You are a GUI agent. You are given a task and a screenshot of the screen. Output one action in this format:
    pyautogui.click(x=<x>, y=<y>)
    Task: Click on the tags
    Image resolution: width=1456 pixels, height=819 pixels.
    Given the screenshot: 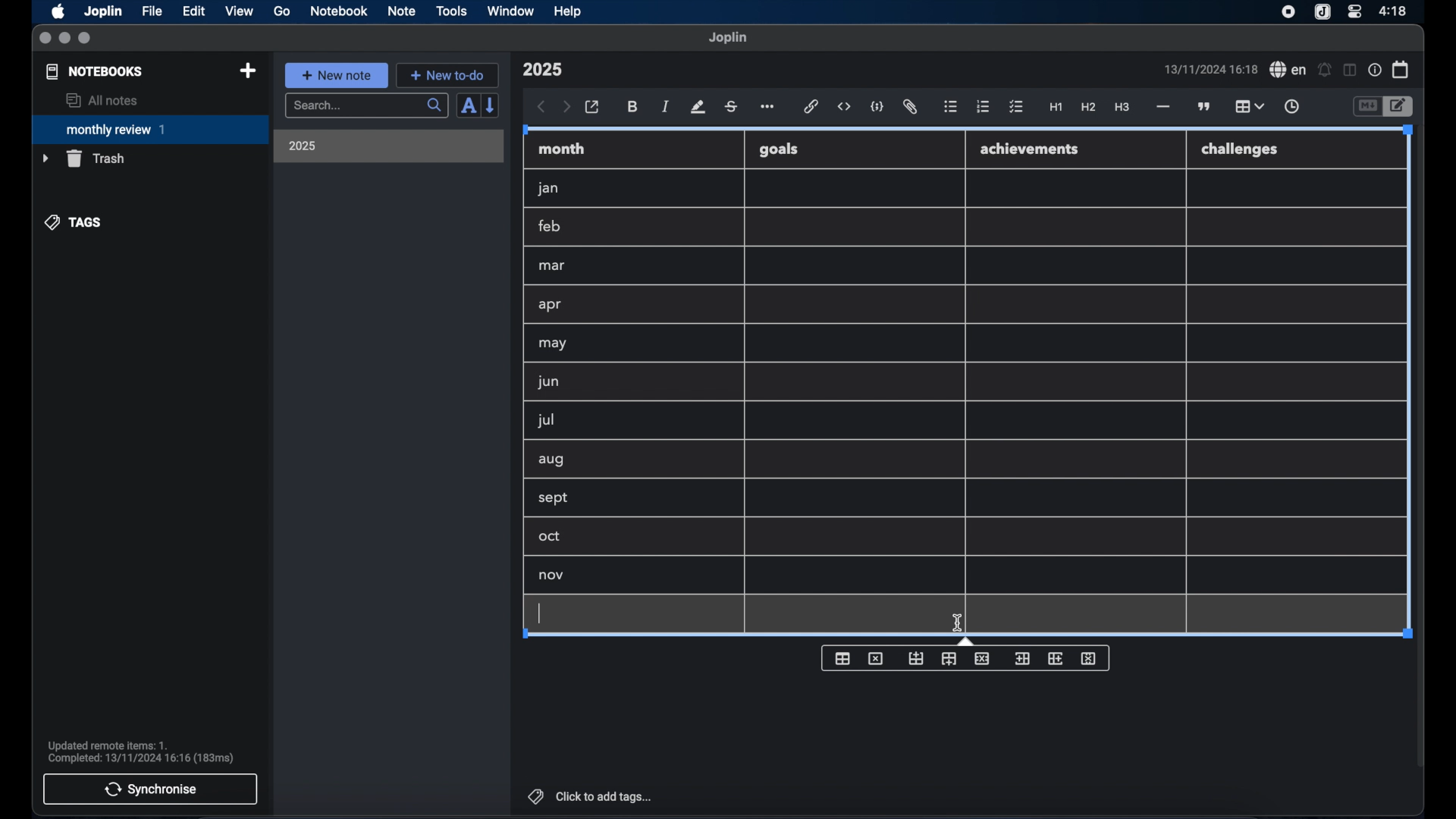 What is the action you would take?
    pyautogui.click(x=74, y=222)
    